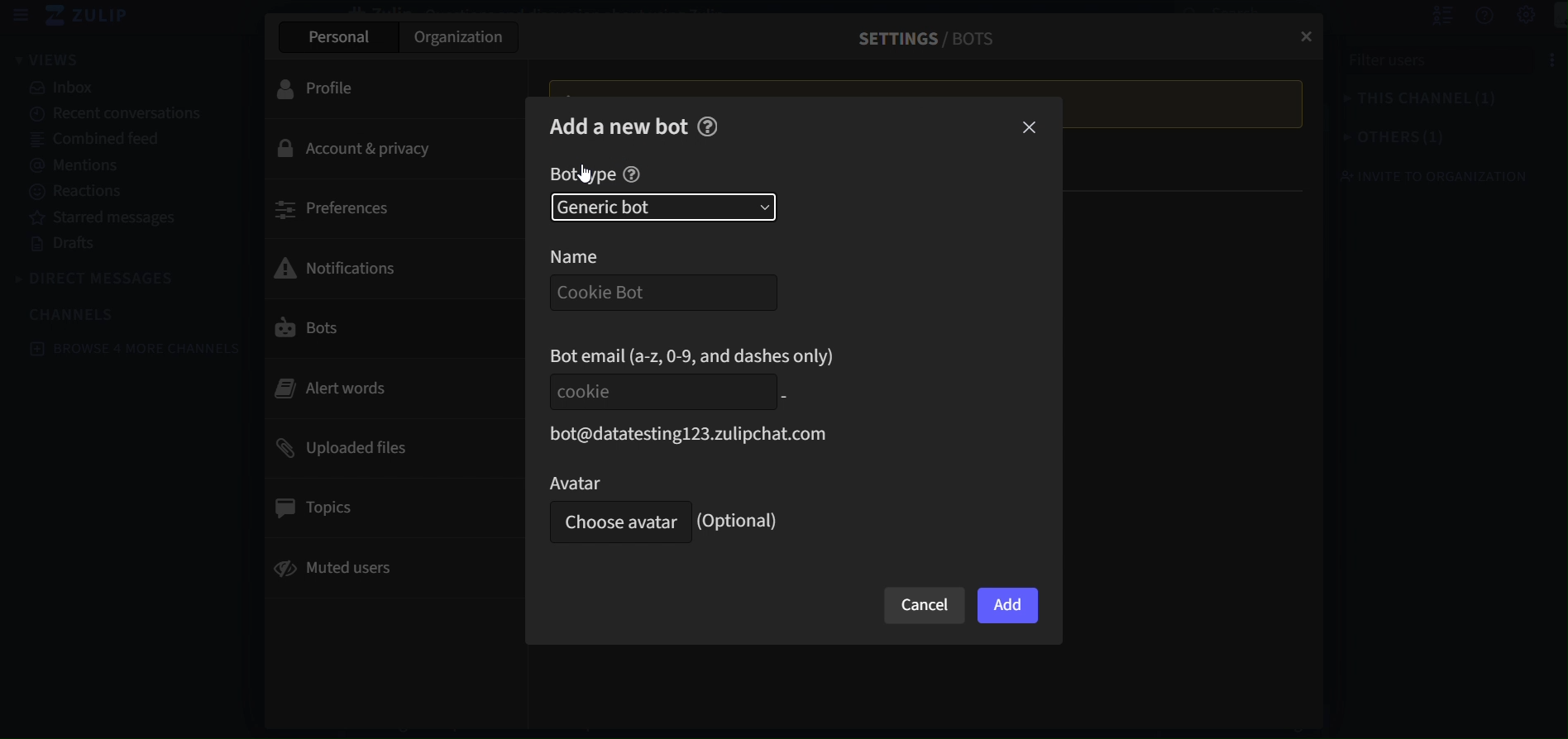 The width and height of the screenshot is (1568, 739). What do you see at coordinates (695, 355) in the screenshot?
I see `bot email(a-z,0-9, and dashes only)` at bounding box center [695, 355].